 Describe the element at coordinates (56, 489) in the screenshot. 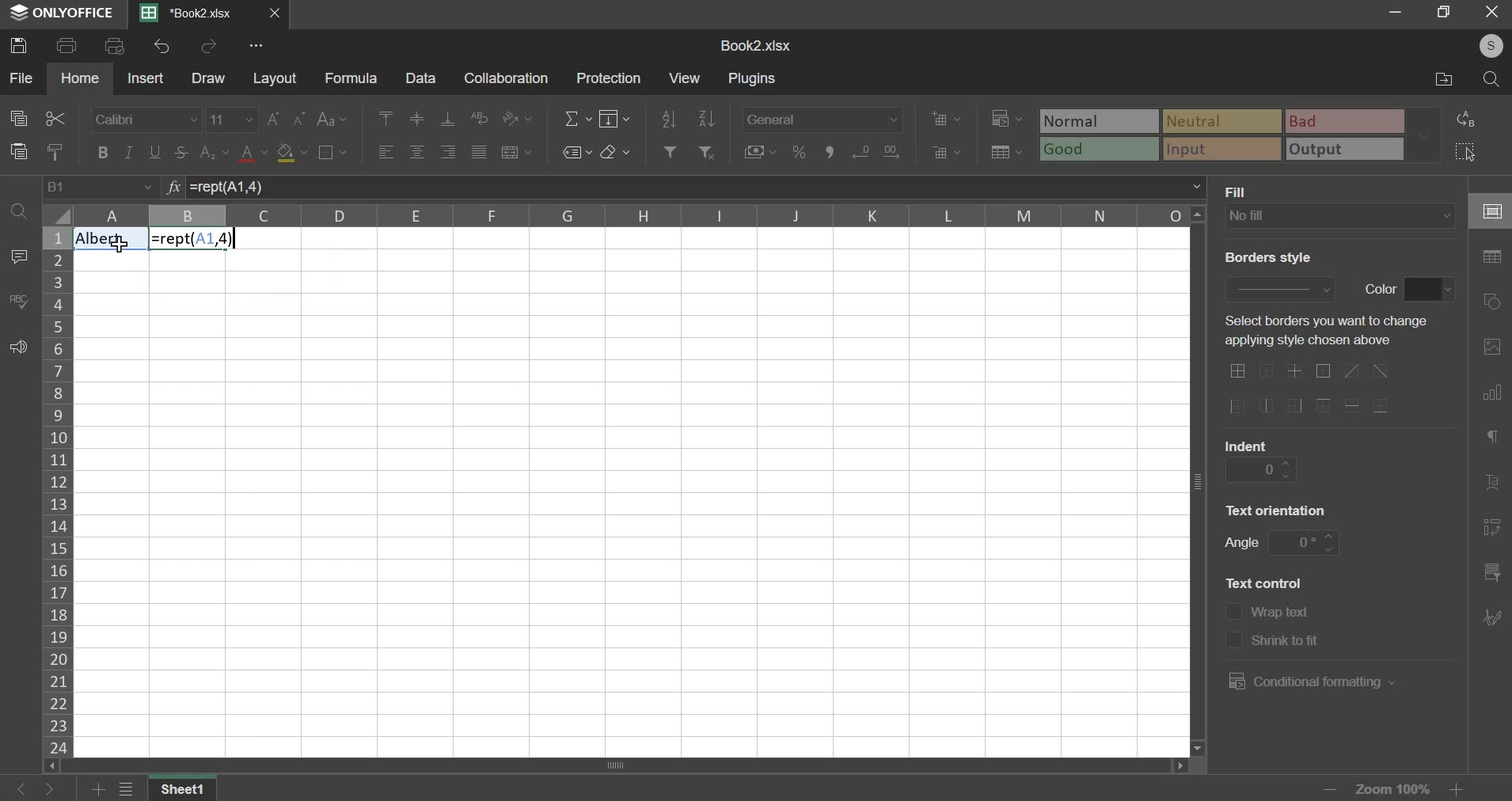

I see `rows` at that location.